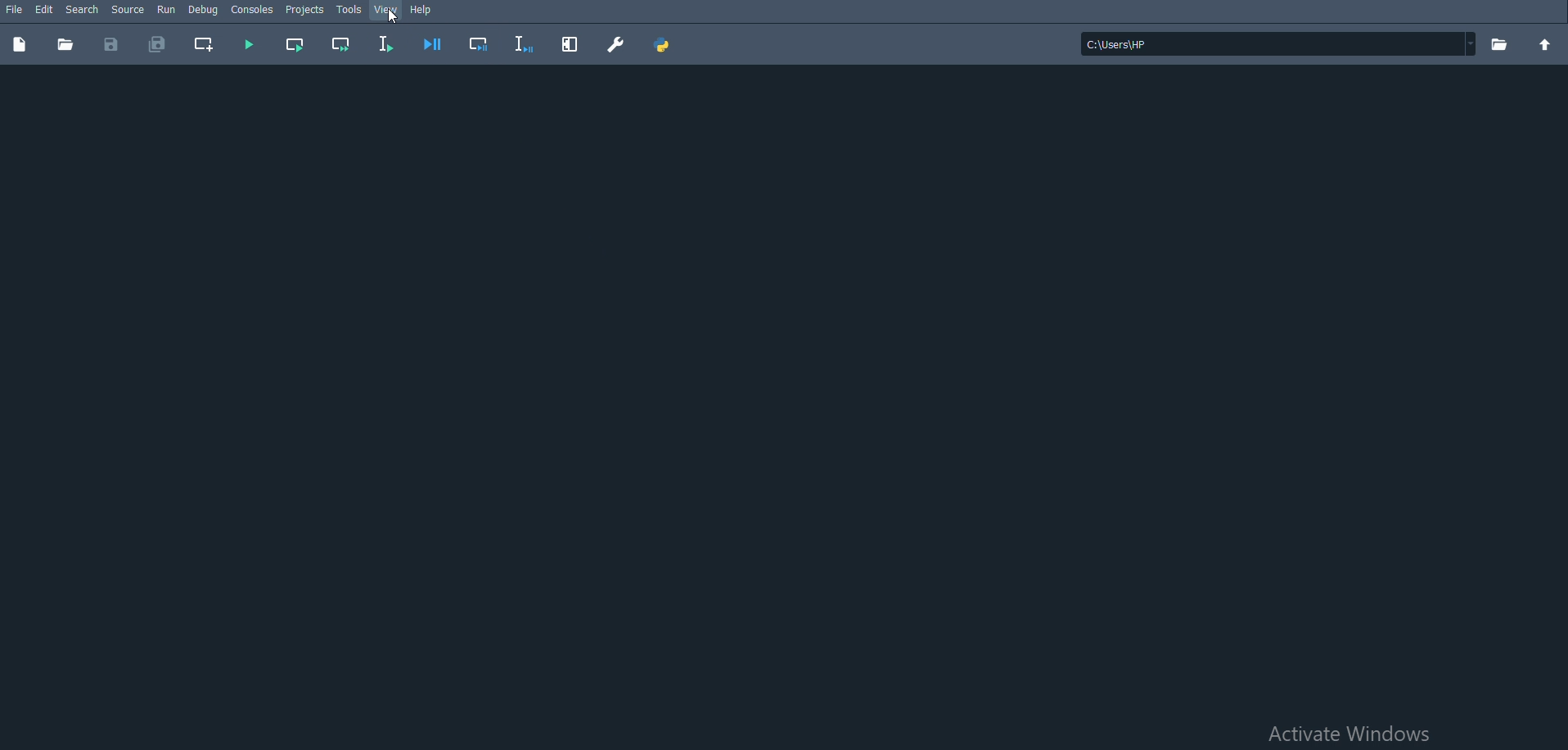 The width and height of the screenshot is (1568, 750). I want to click on Debug file, so click(432, 43).